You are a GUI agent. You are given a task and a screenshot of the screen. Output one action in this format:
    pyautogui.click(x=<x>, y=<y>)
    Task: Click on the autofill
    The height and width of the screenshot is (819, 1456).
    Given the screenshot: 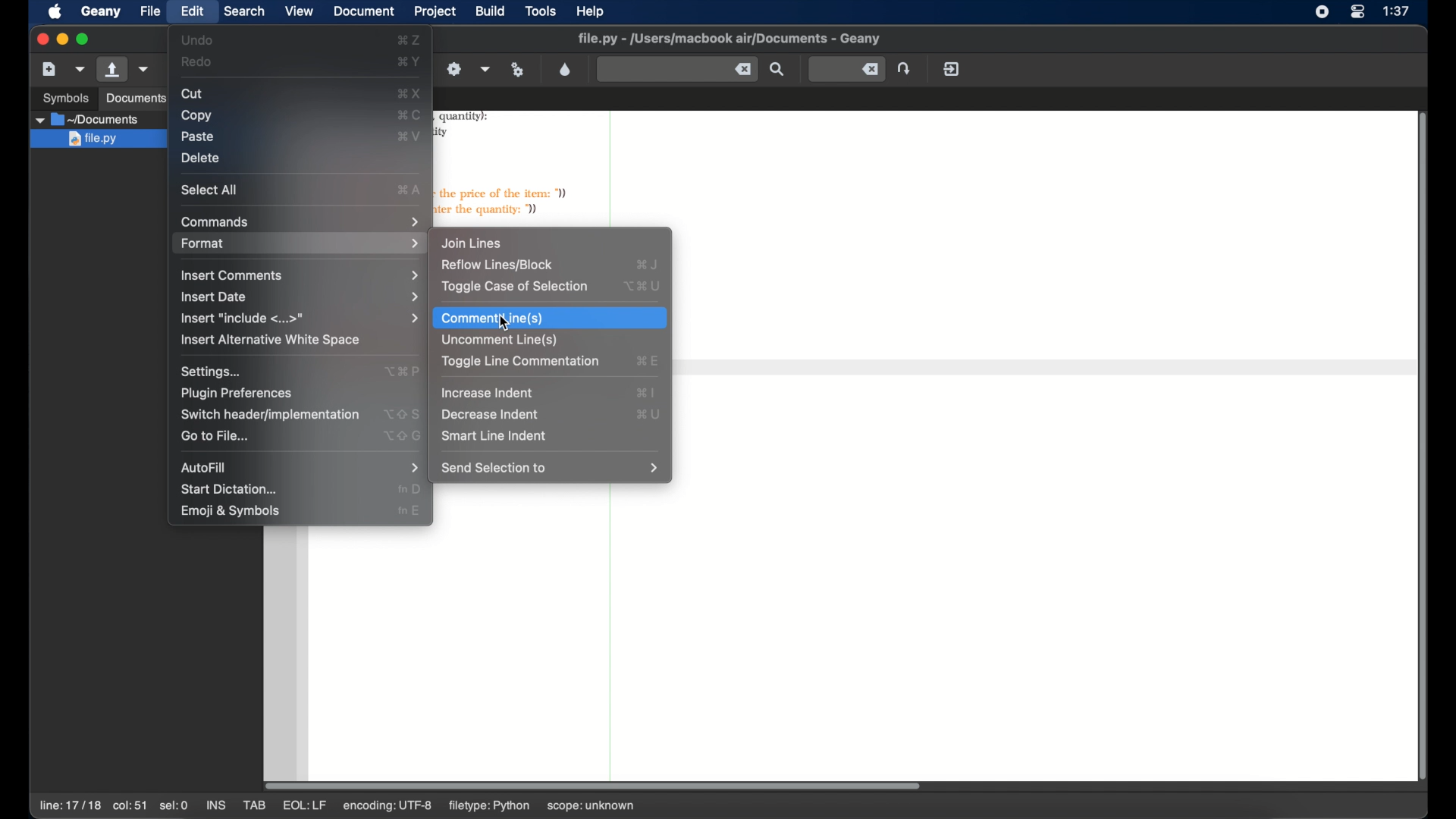 What is the action you would take?
    pyautogui.click(x=414, y=468)
    